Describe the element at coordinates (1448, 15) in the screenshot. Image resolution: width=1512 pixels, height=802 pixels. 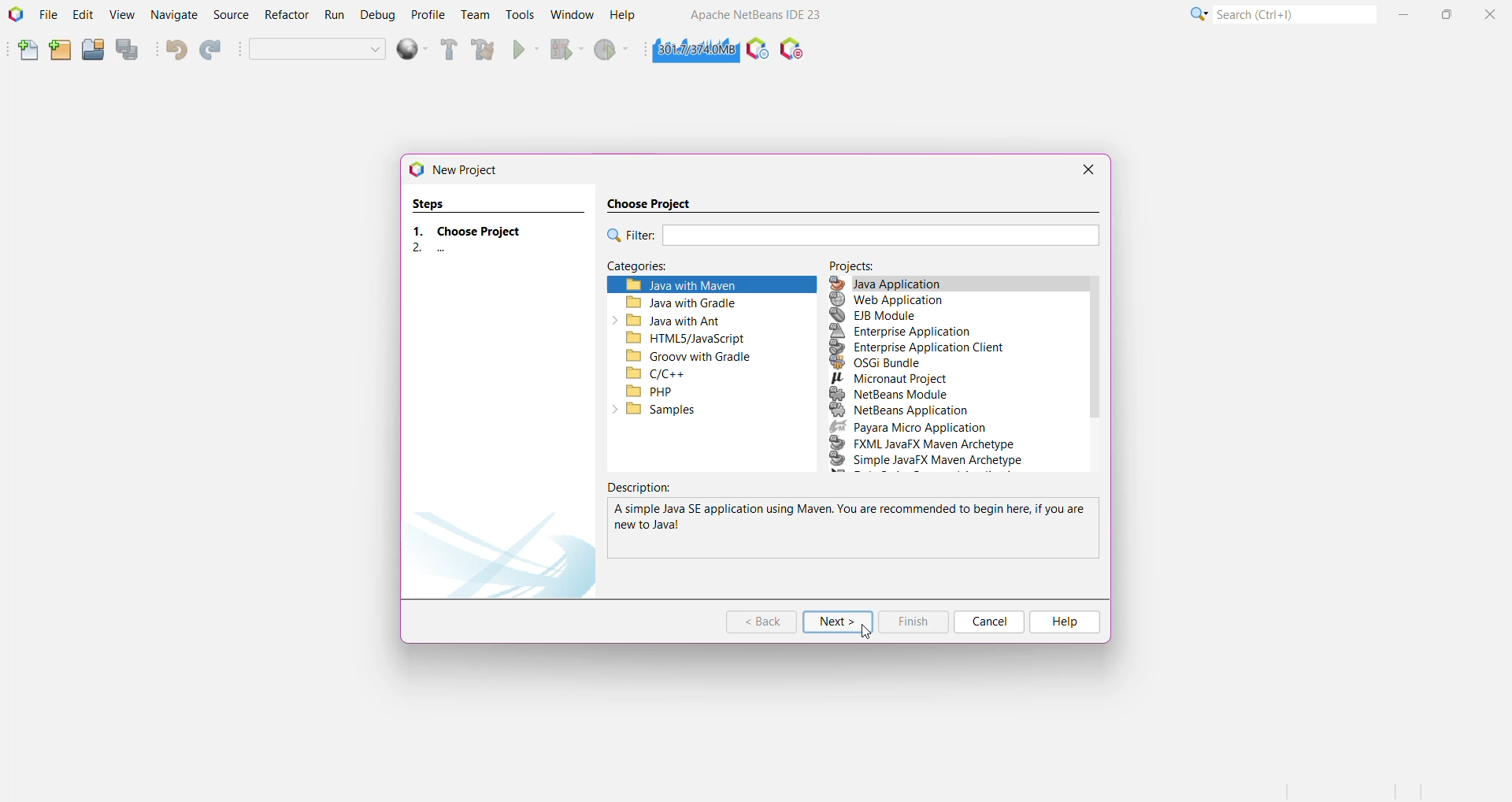
I see `Maximize` at that location.